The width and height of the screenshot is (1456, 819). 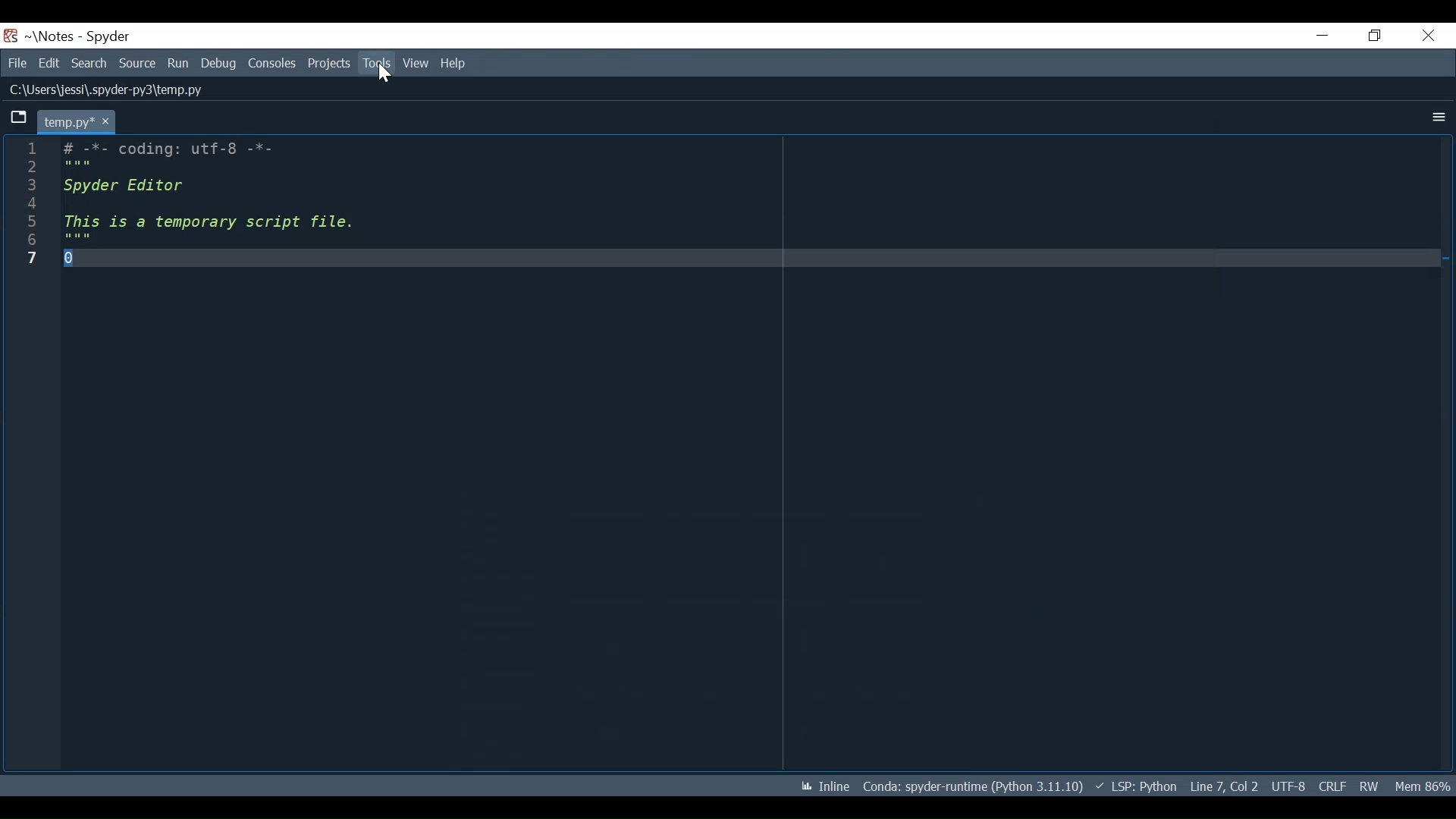 I want to click on Source, so click(x=137, y=64).